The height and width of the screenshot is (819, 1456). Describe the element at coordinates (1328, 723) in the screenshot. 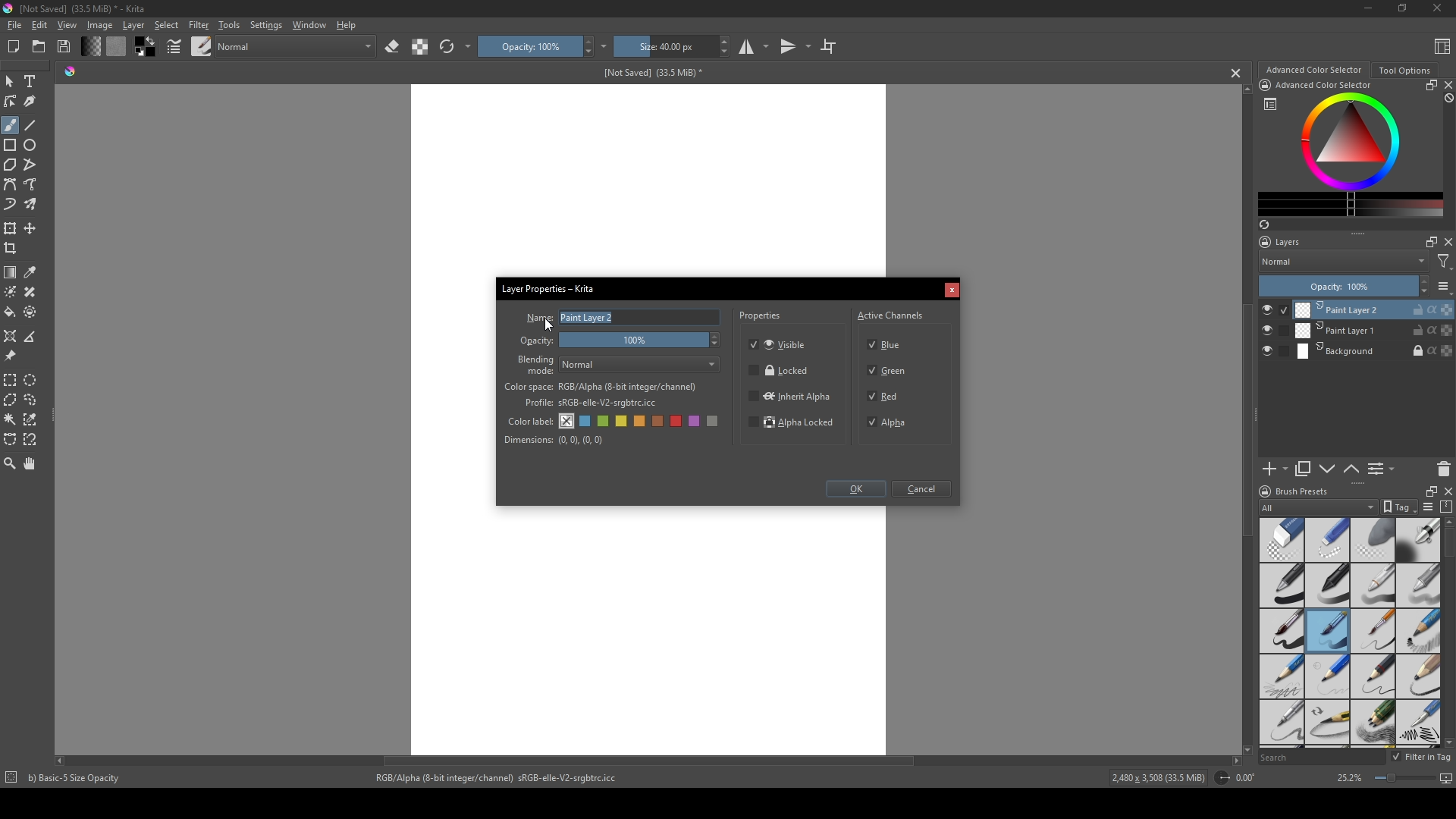

I see `pencil` at that location.